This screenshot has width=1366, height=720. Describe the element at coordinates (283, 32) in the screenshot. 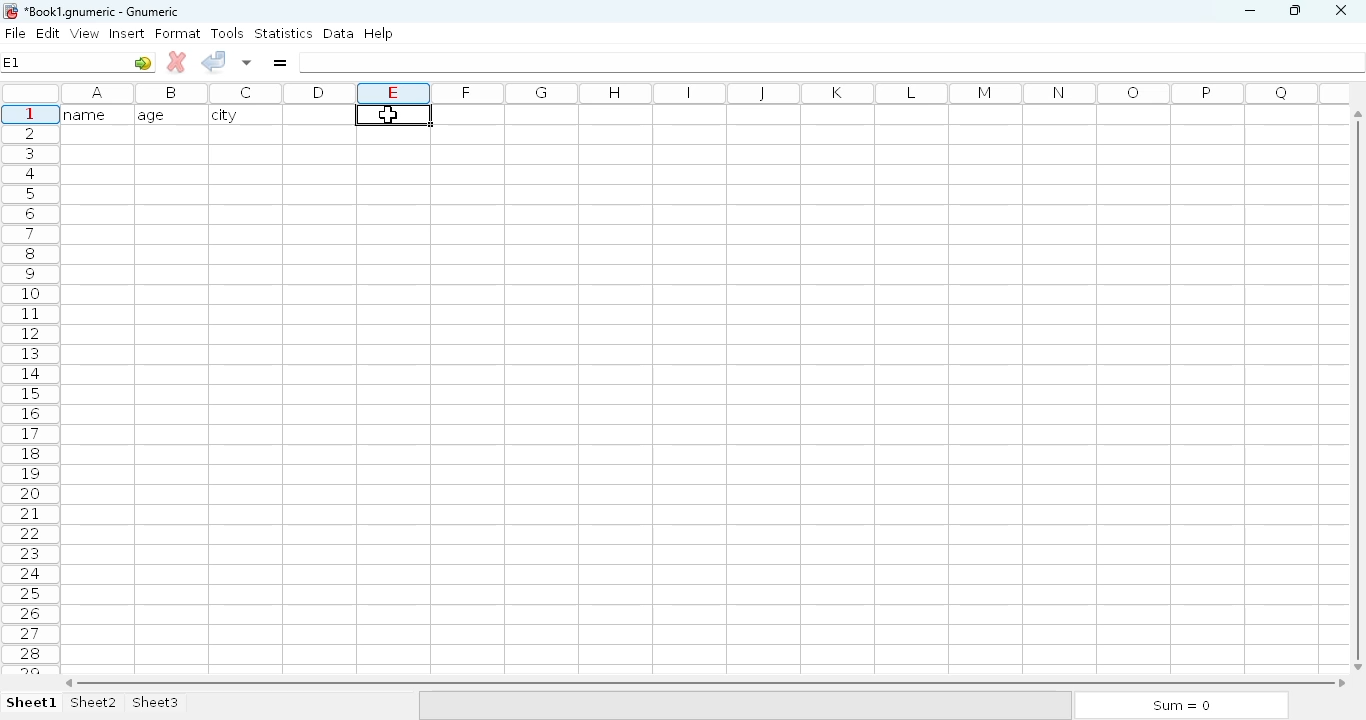

I see `statistics` at that location.